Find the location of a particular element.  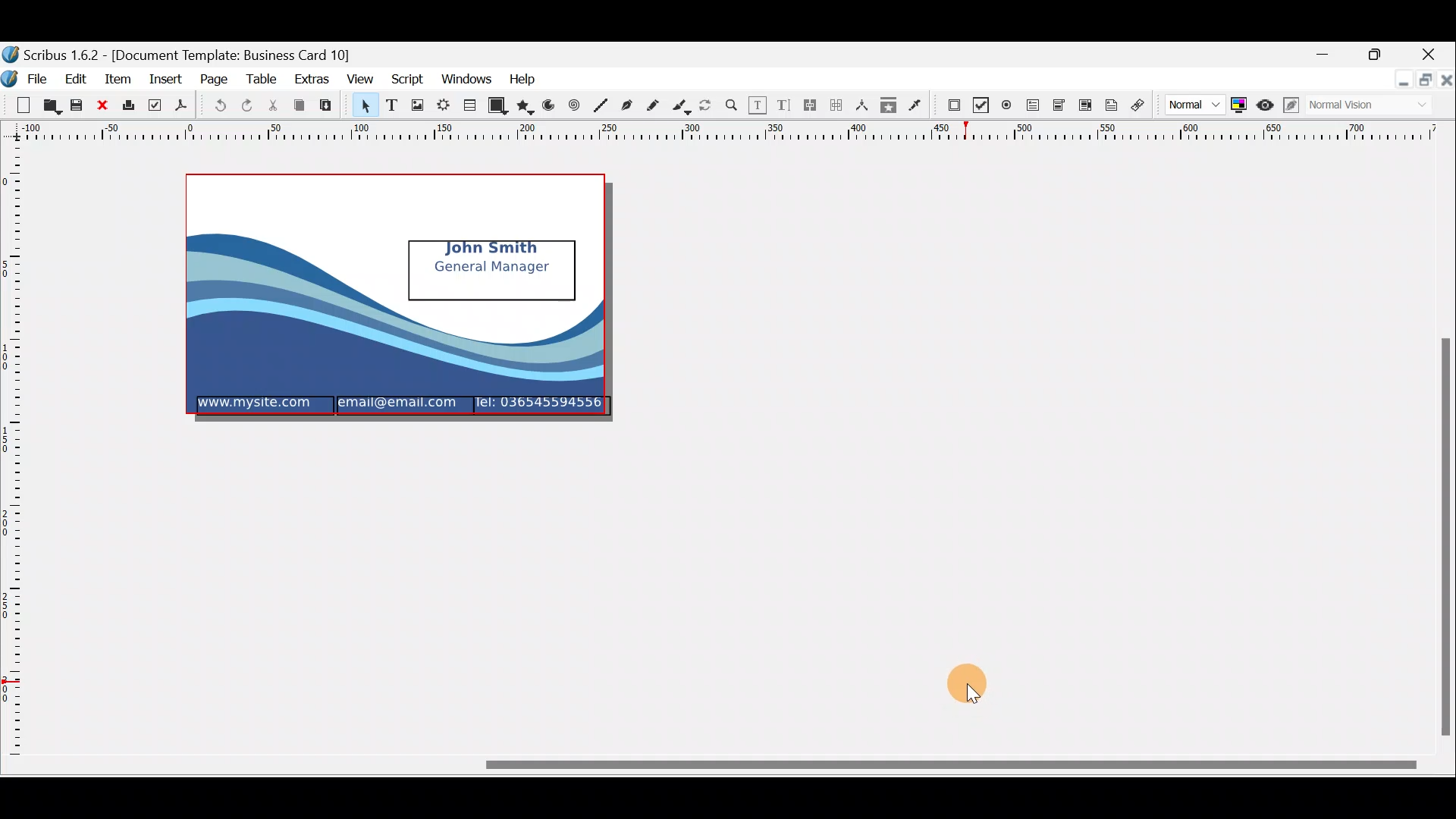

Line is located at coordinates (599, 106).